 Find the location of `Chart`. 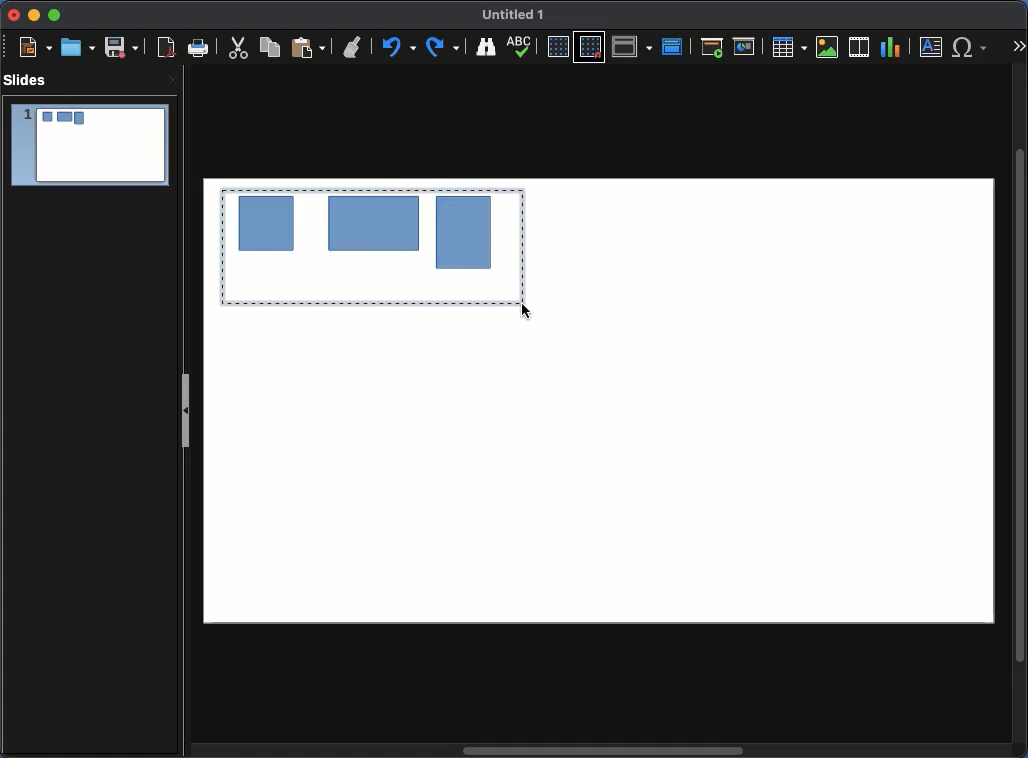

Chart is located at coordinates (892, 48).